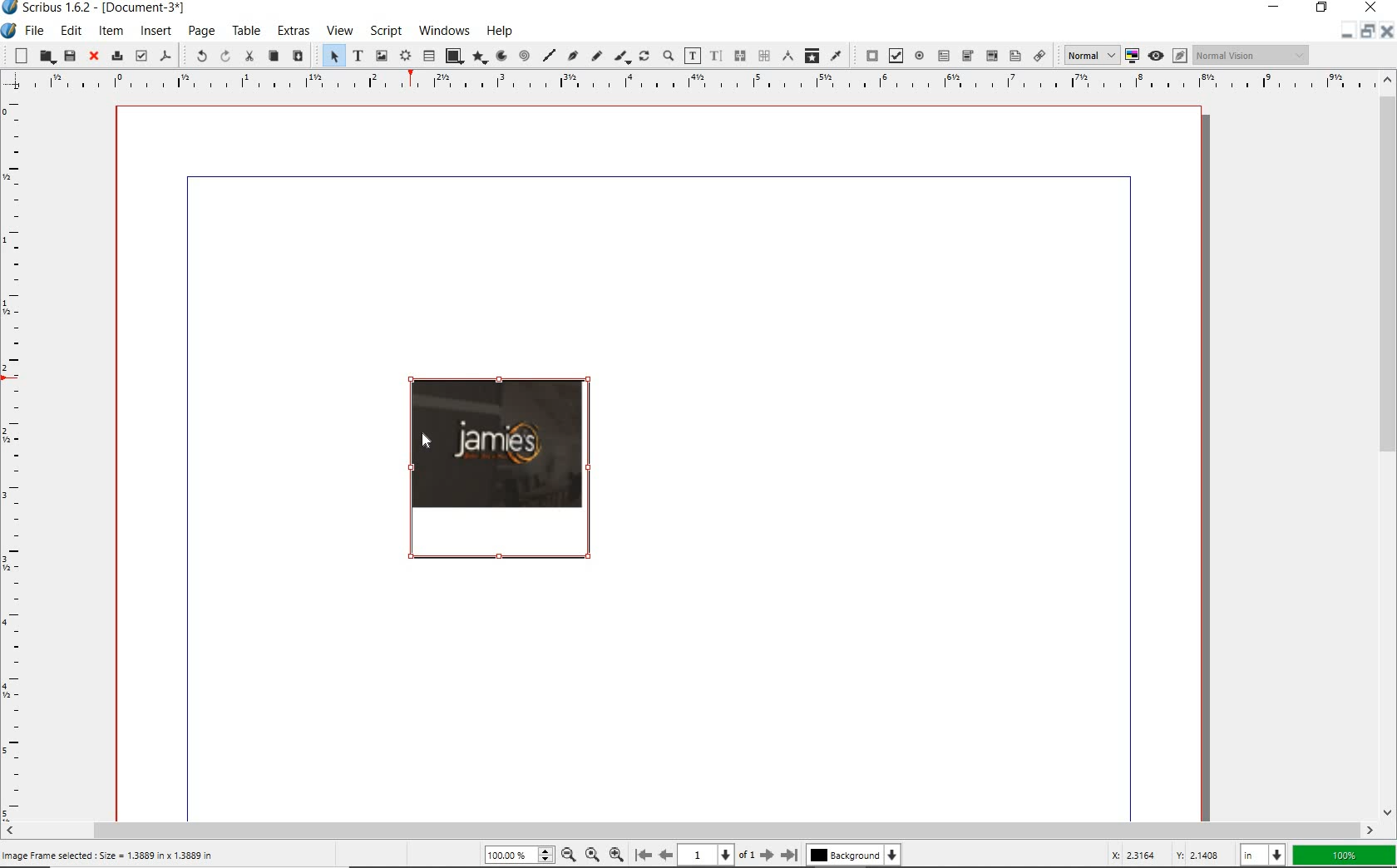 The image size is (1397, 868). What do you see at coordinates (118, 56) in the screenshot?
I see `print` at bounding box center [118, 56].